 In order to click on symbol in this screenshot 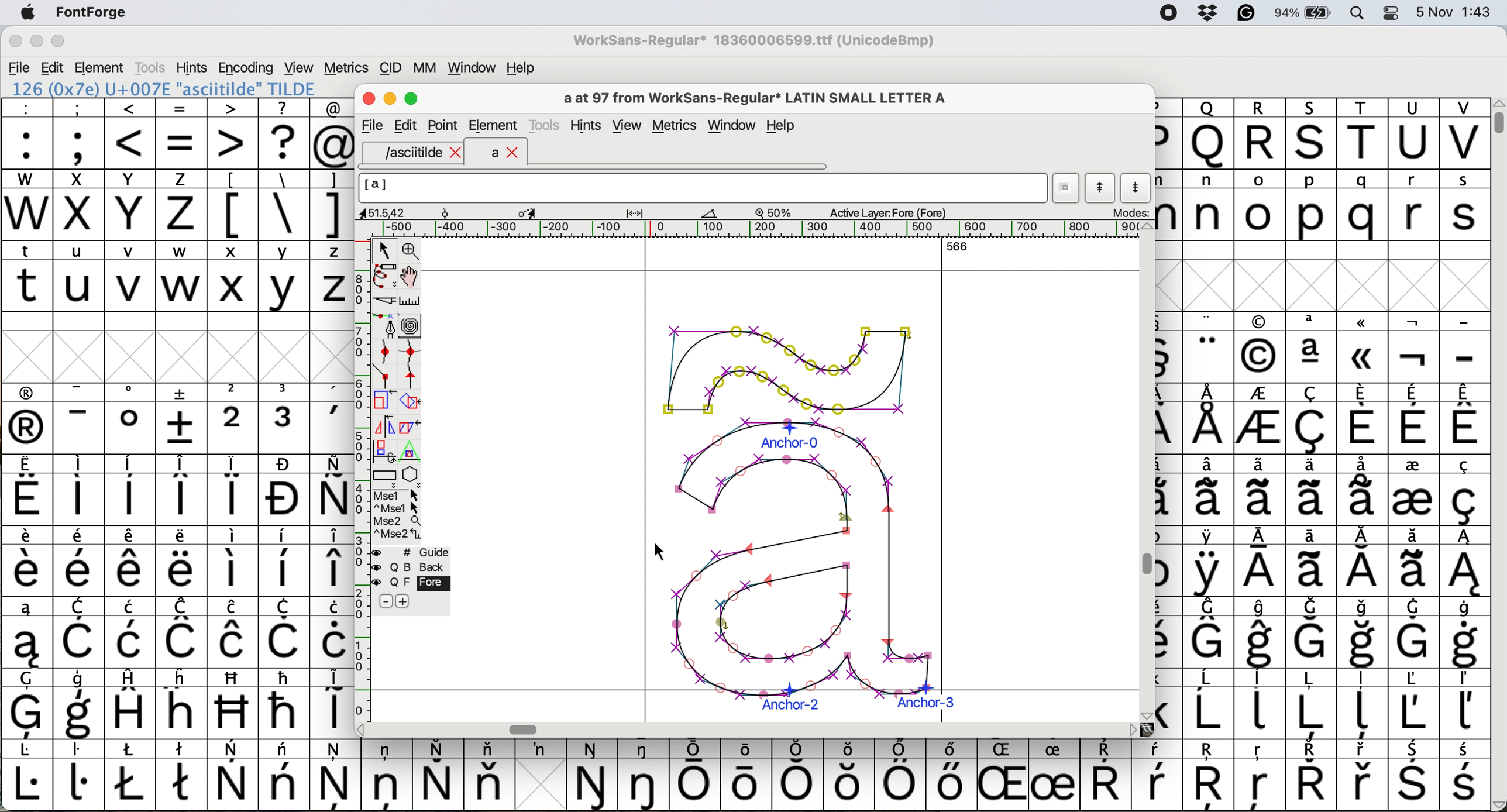, I will do `click(285, 632)`.